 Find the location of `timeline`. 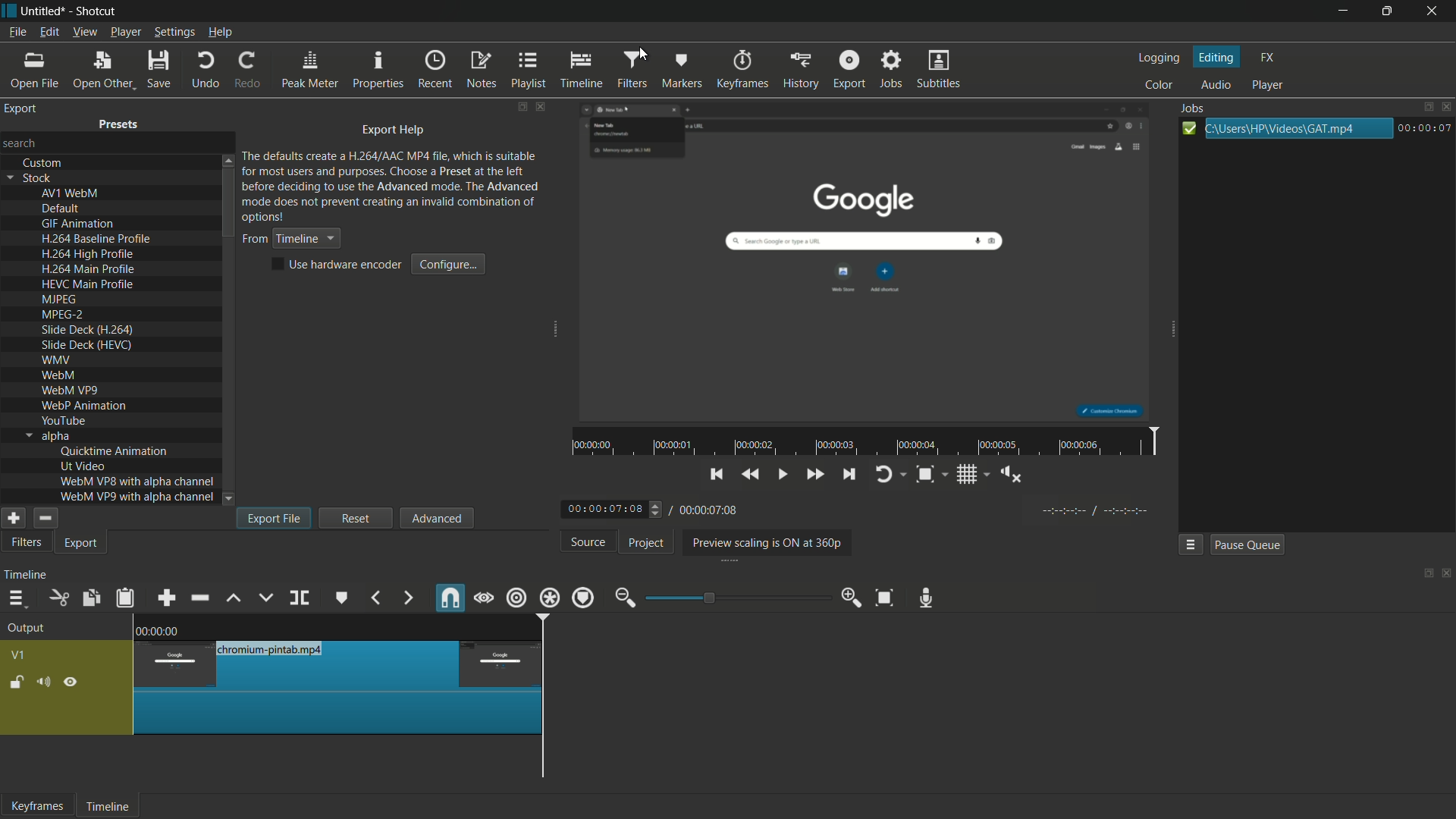

timeline is located at coordinates (26, 575).